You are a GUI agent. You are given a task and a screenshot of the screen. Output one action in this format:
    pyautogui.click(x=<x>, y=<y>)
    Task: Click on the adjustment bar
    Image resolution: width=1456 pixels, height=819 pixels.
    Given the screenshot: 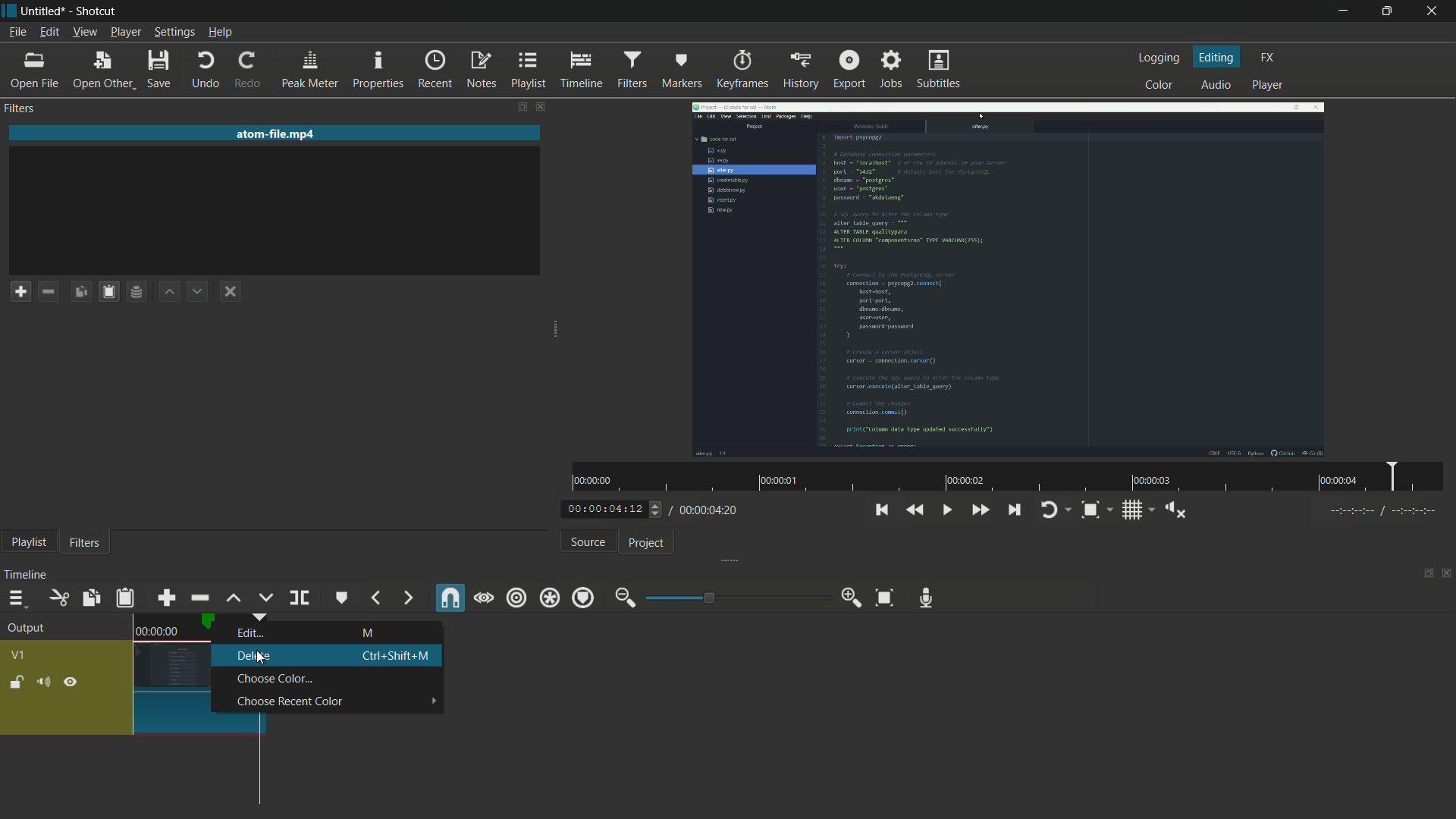 What is the action you would take?
    pyautogui.click(x=734, y=598)
    